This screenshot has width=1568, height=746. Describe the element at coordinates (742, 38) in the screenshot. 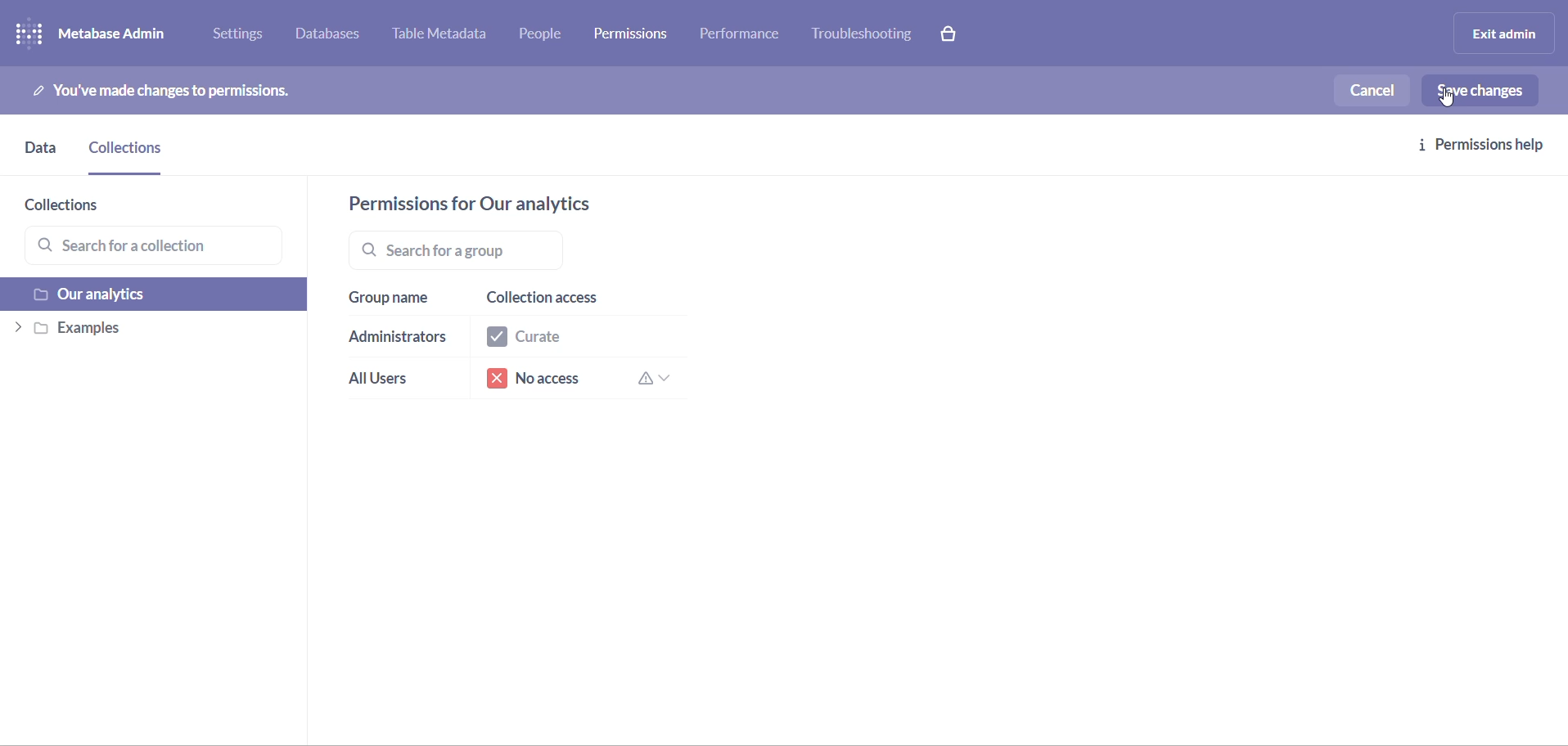

I see `performance` at that location.